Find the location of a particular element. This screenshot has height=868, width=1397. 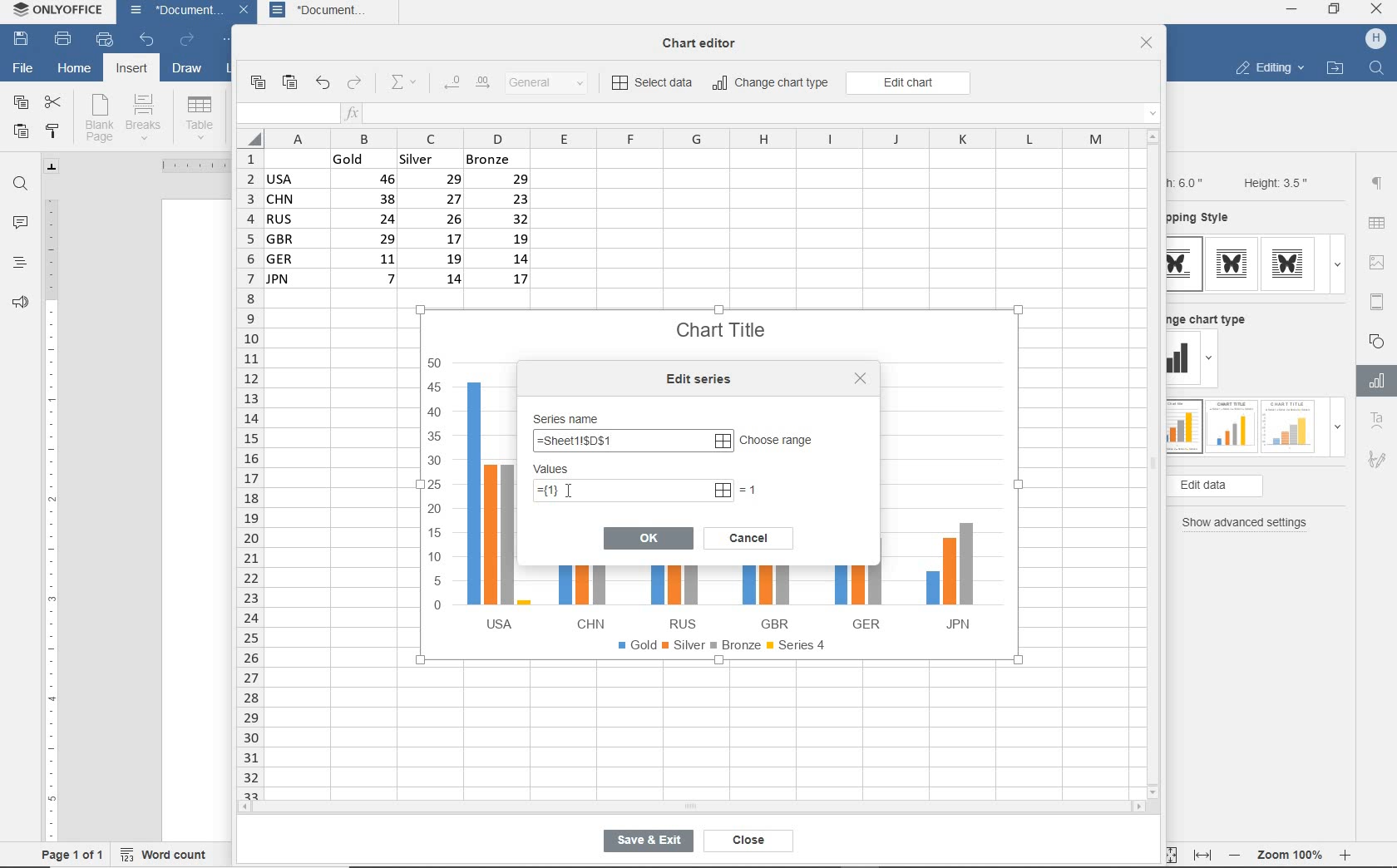

USA is located at coordinates (494, 505).